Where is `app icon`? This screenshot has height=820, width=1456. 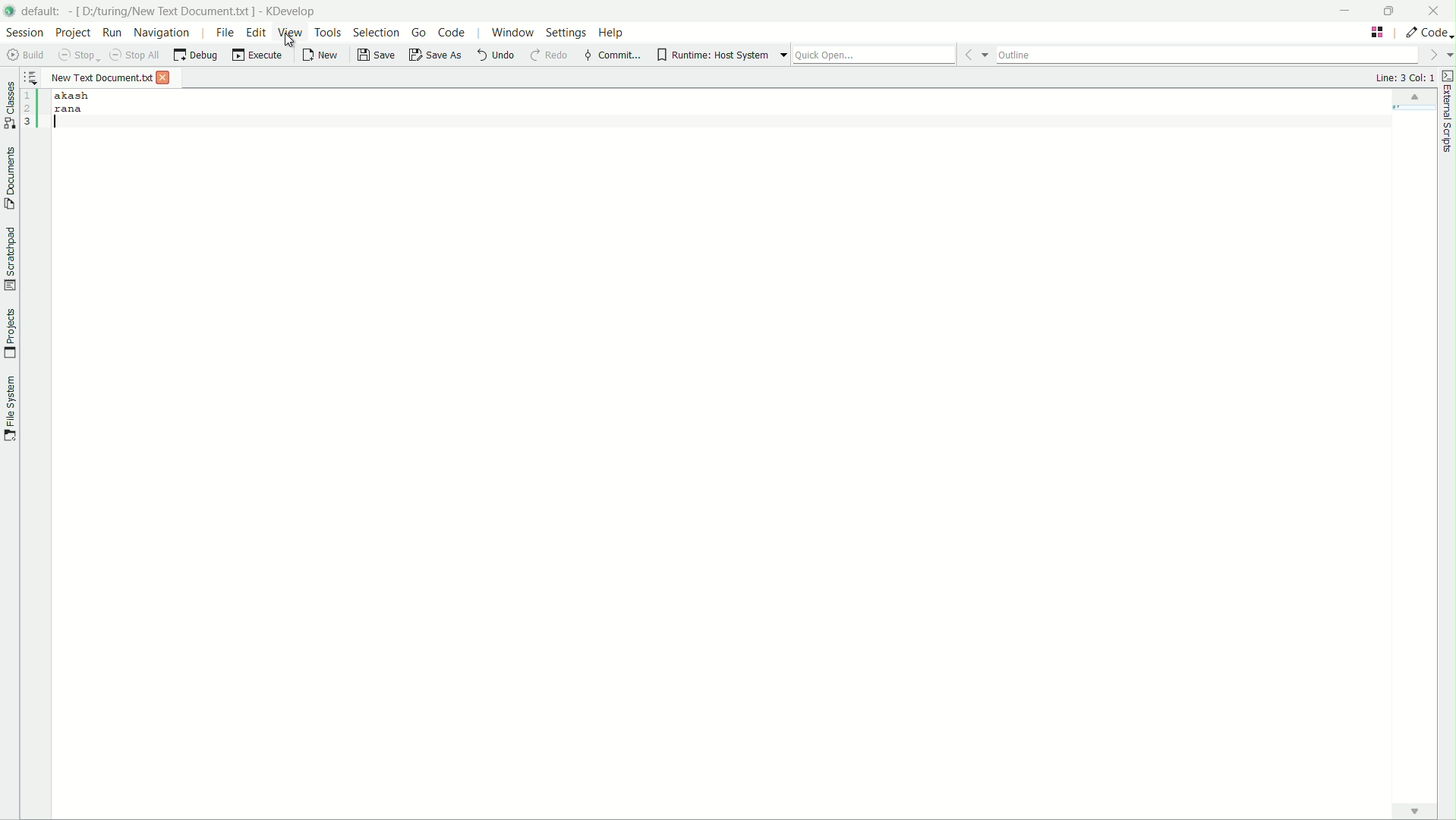 app icon is located at coordinates (10, 12).